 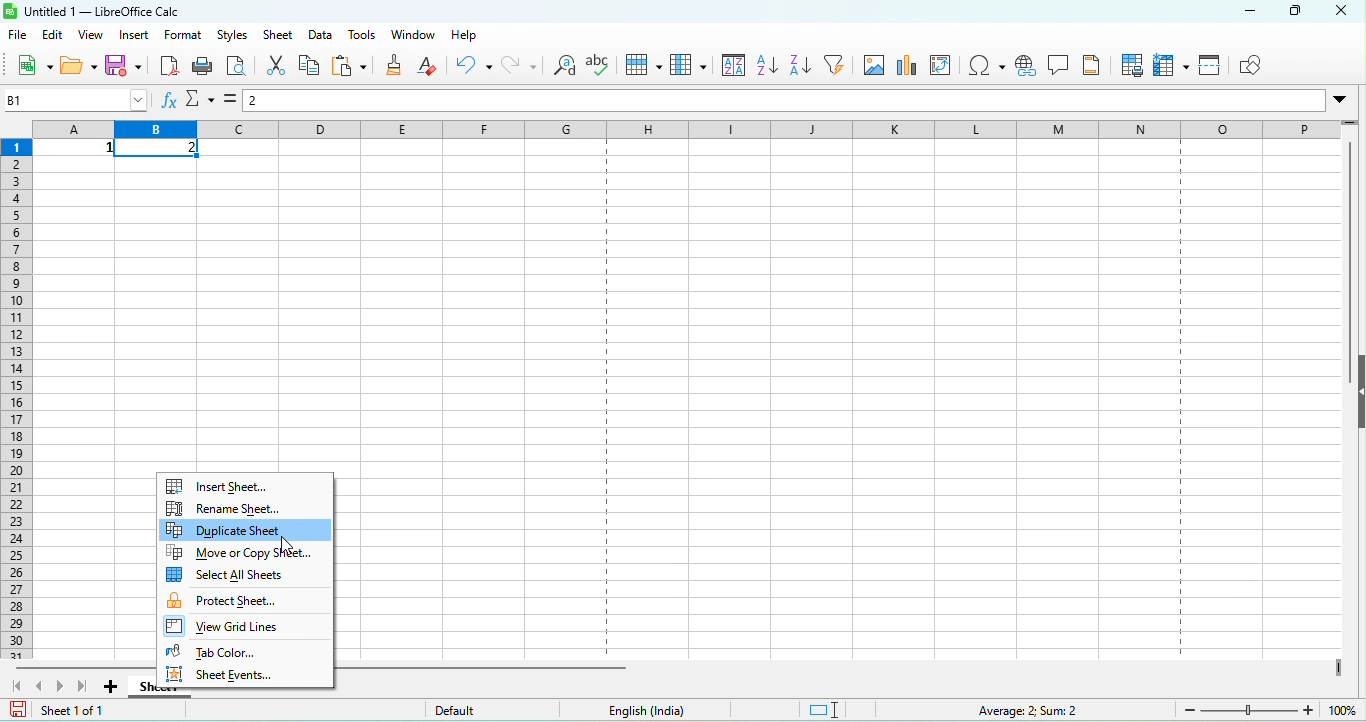 I want to click on column headings, so click(x=681, y=128).